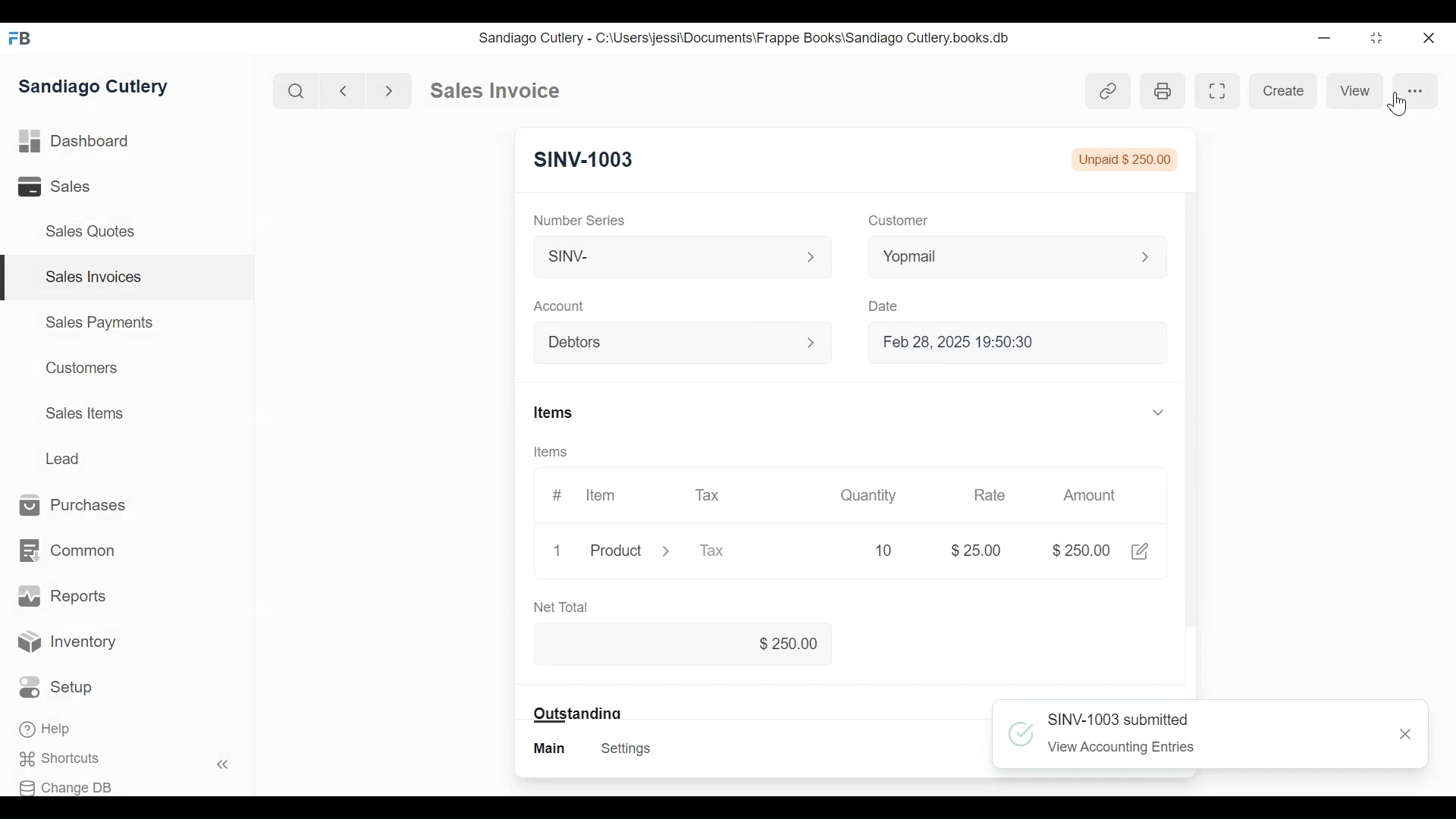  Describe the element at coordinates (560, 496) in the screenshot. I see `#` at that location.